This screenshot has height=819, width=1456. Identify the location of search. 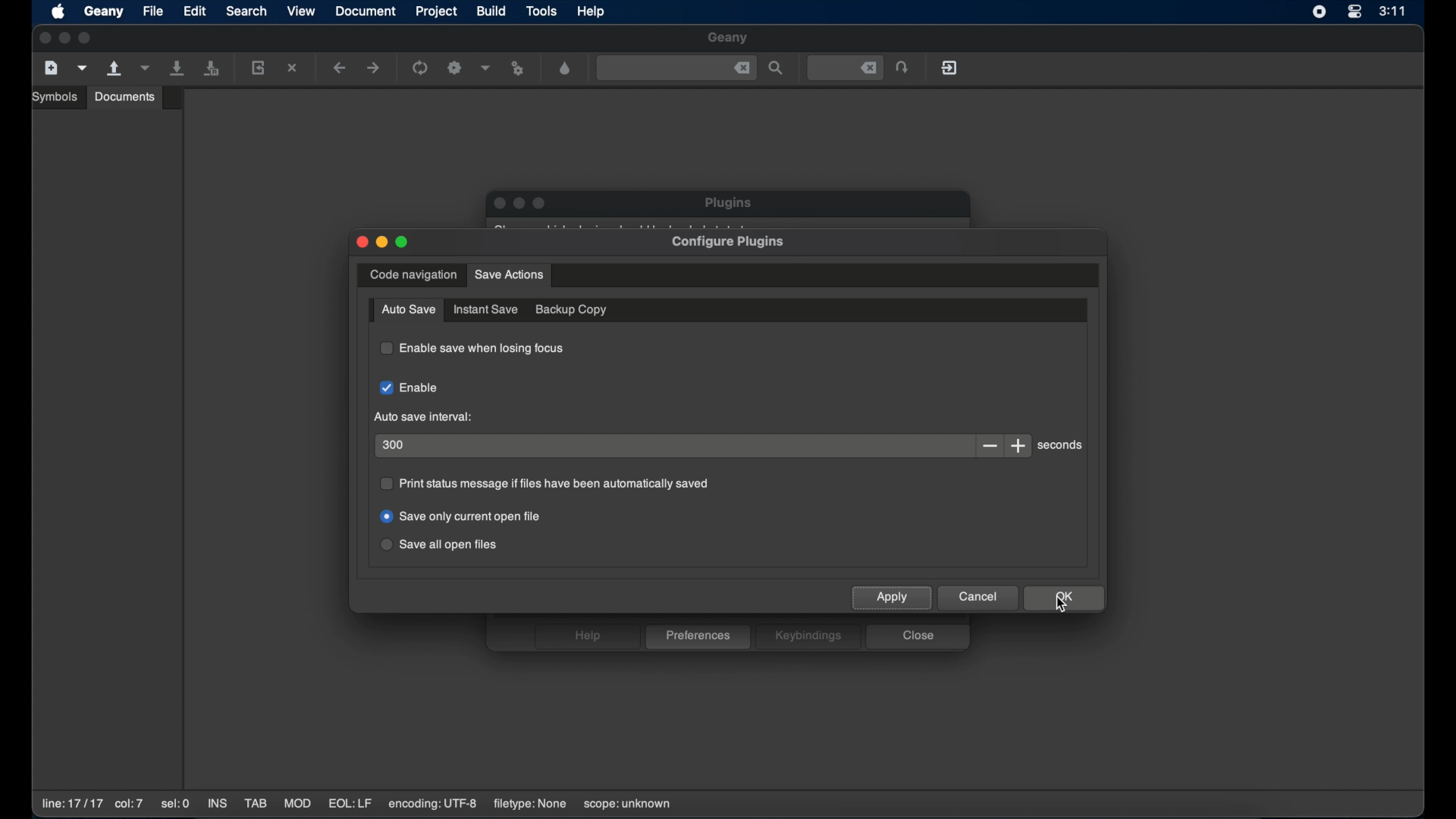
(246, 11).